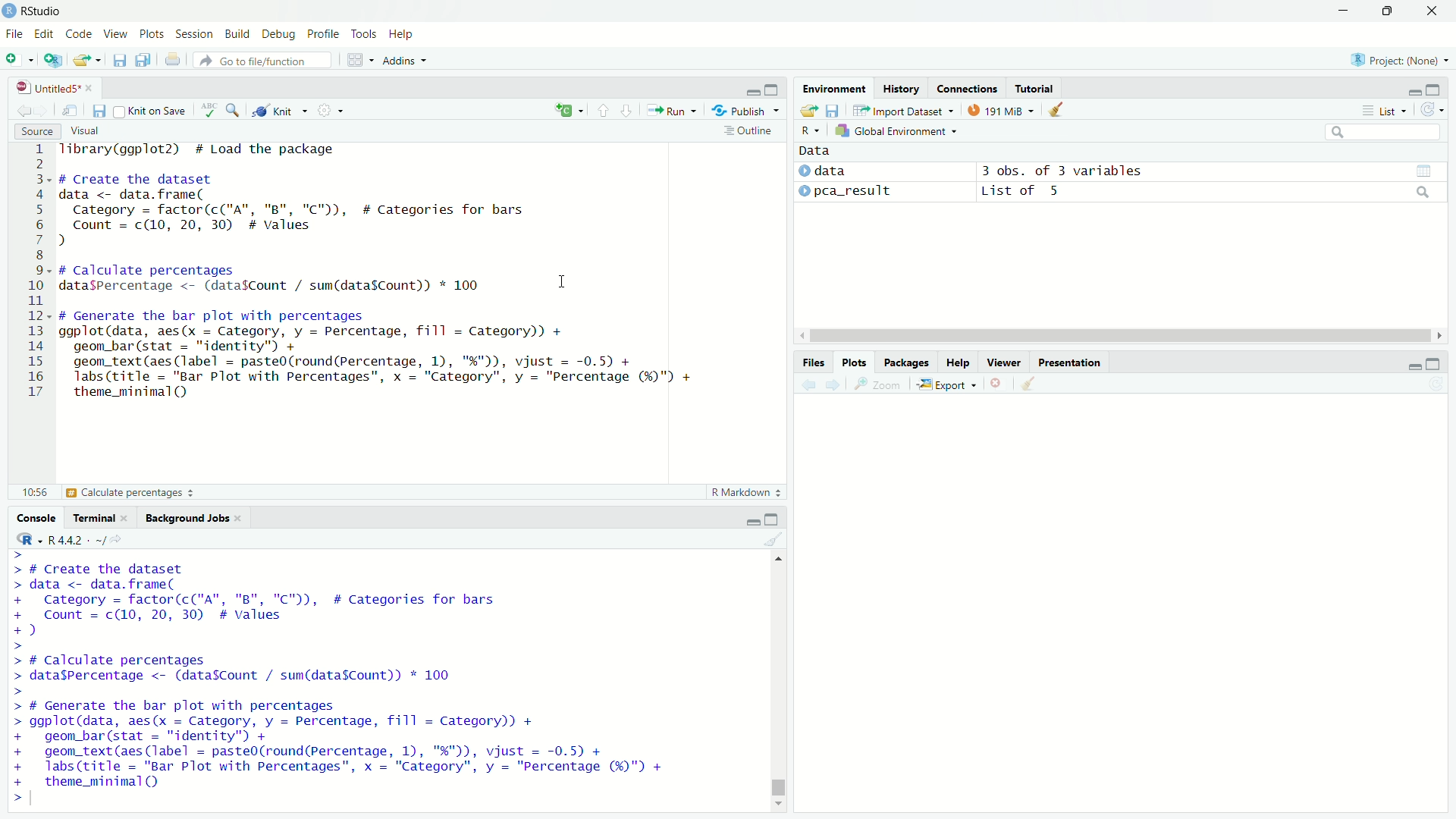 The height and width of the screenshot is (819, 1456). What do you see at coordinates (748, 133) in the screenshot?
I see `outline` at bounding box center [748, 133].